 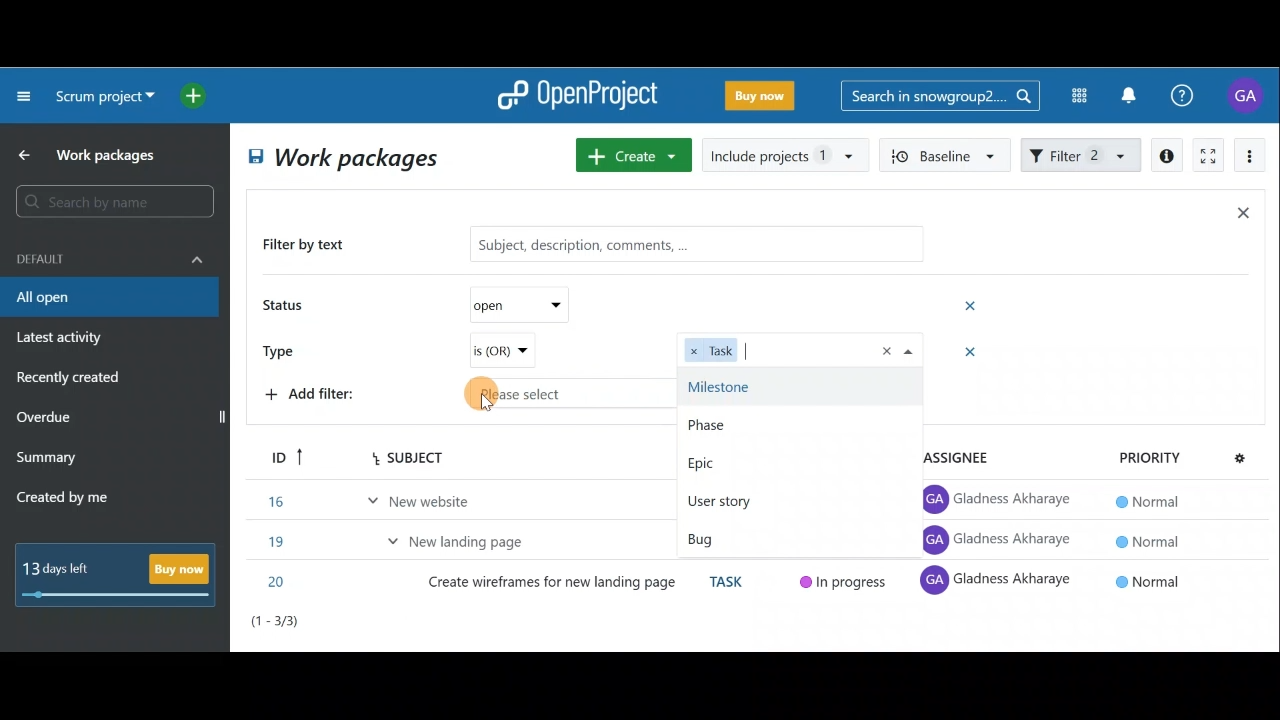 What do you see at coordinates (346, 156) in the screenshot?
I see `All open` at bounding box center [346, 156].